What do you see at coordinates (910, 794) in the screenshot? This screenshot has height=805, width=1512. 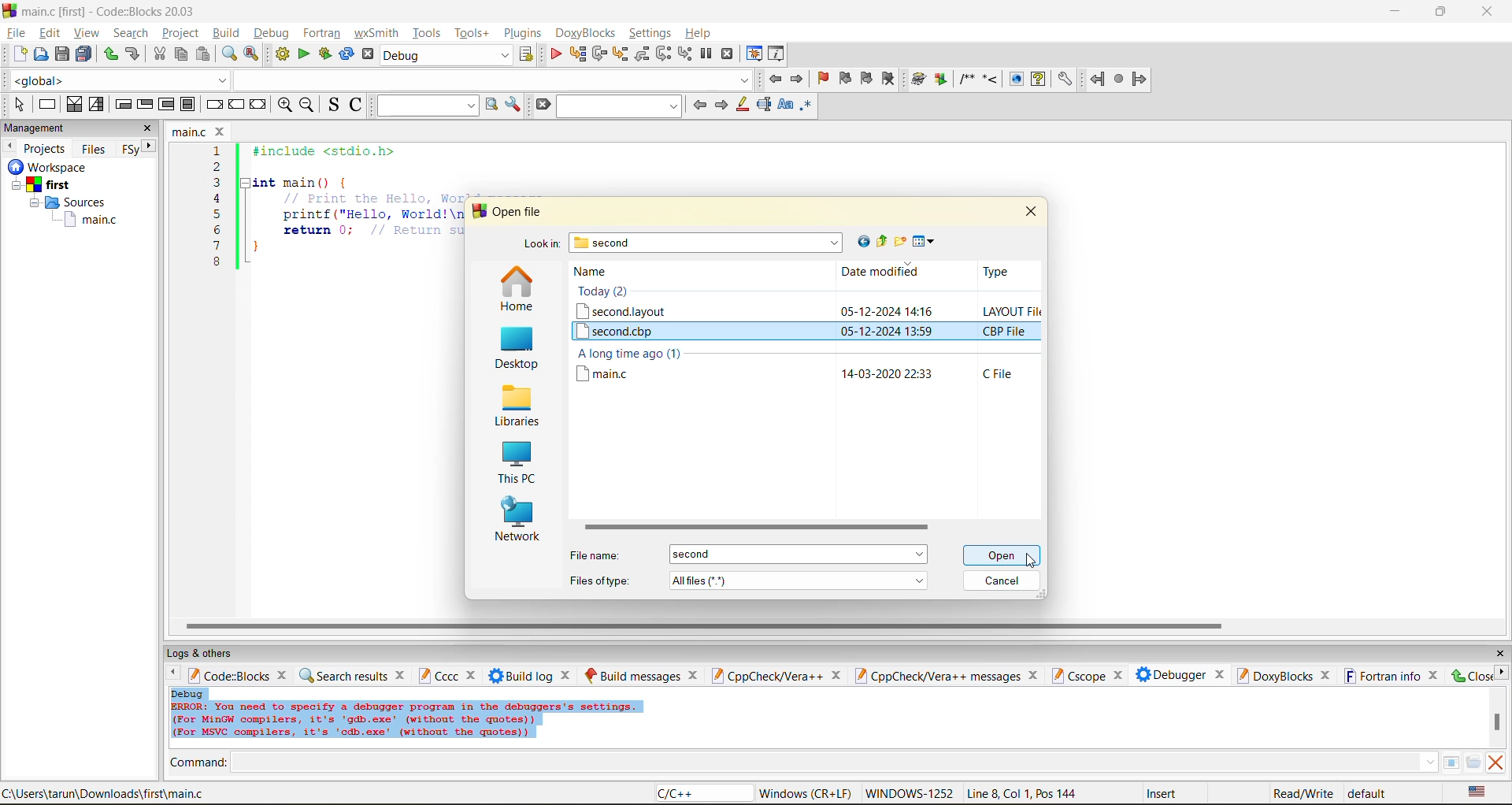 I see `Windows 1252` at bounding box center [910, 794].